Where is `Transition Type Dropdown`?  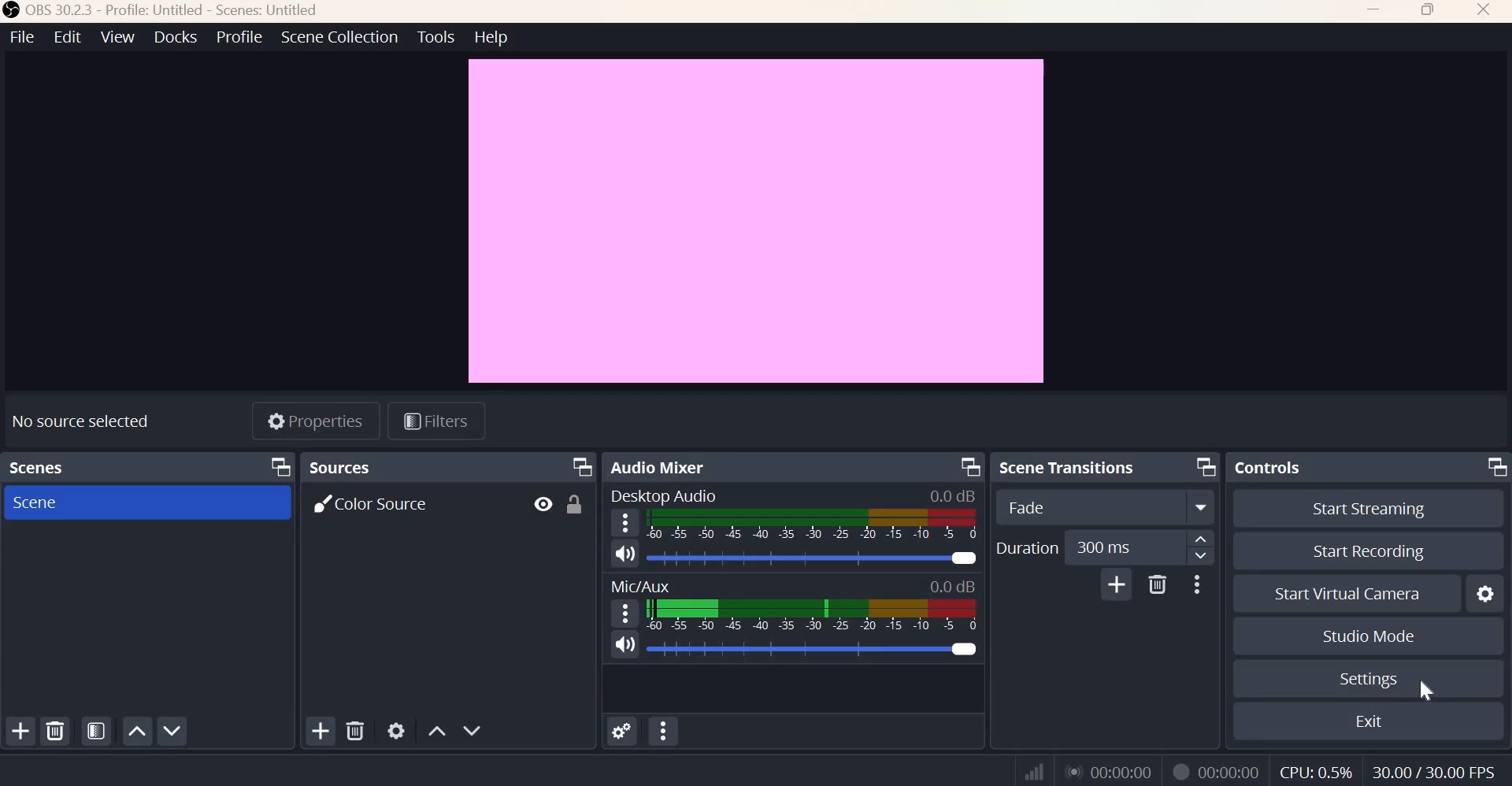
Transition Type Dropdown is located at coordinates (1102, 509).